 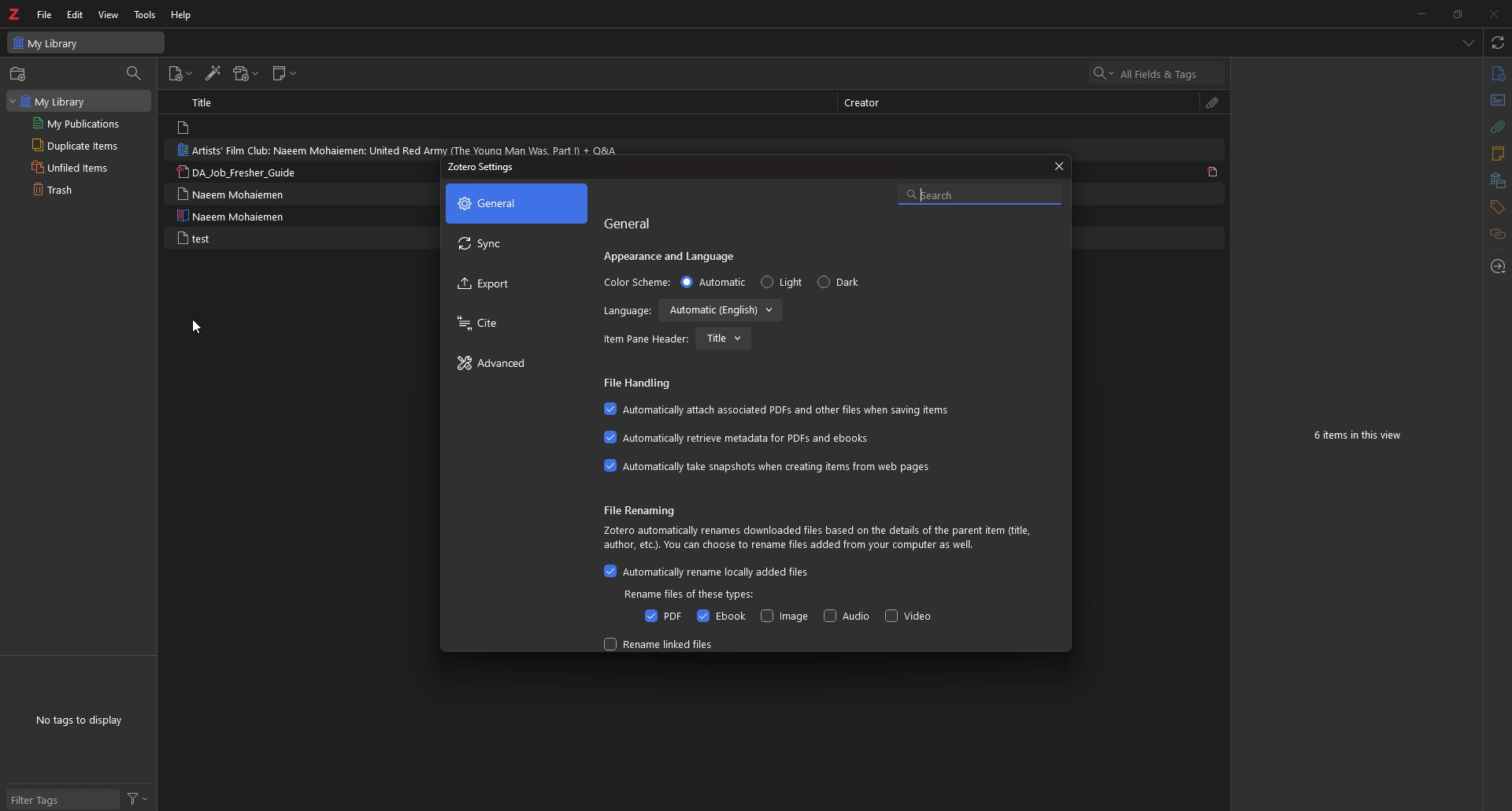 I want to click on sync with zotero.org, so click(x=1499, y=43).